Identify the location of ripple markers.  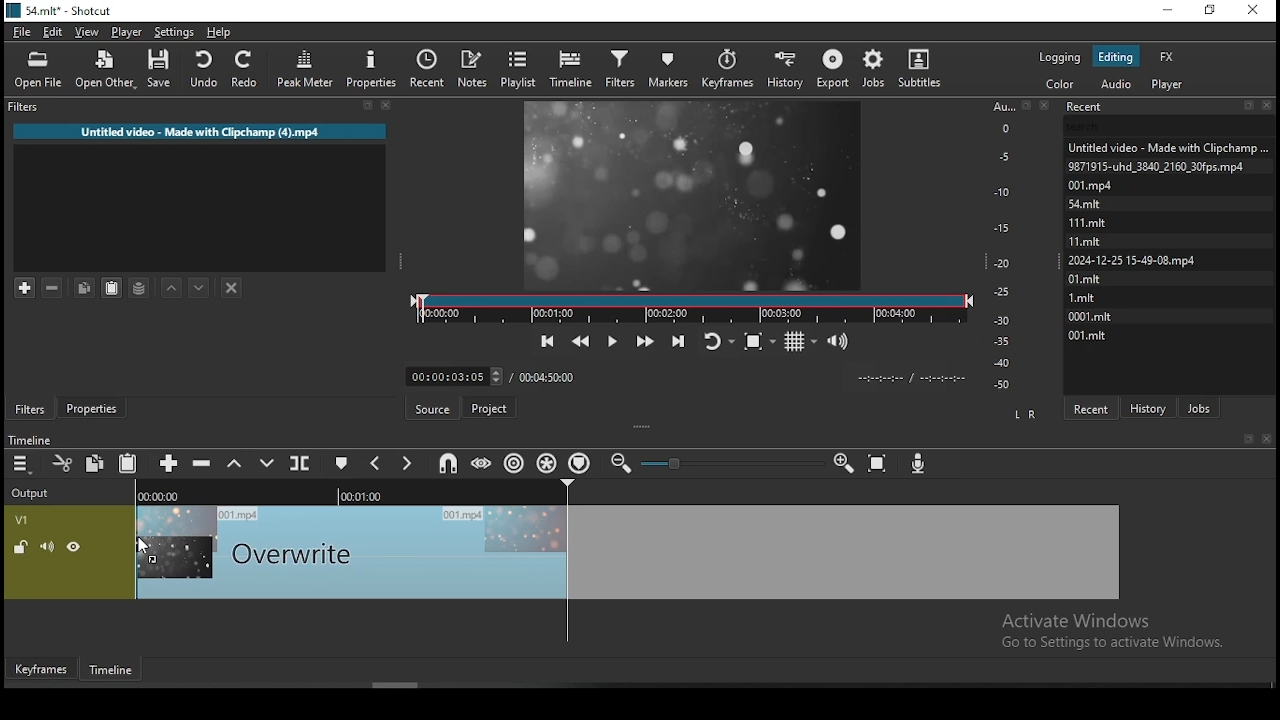
(581, 461).